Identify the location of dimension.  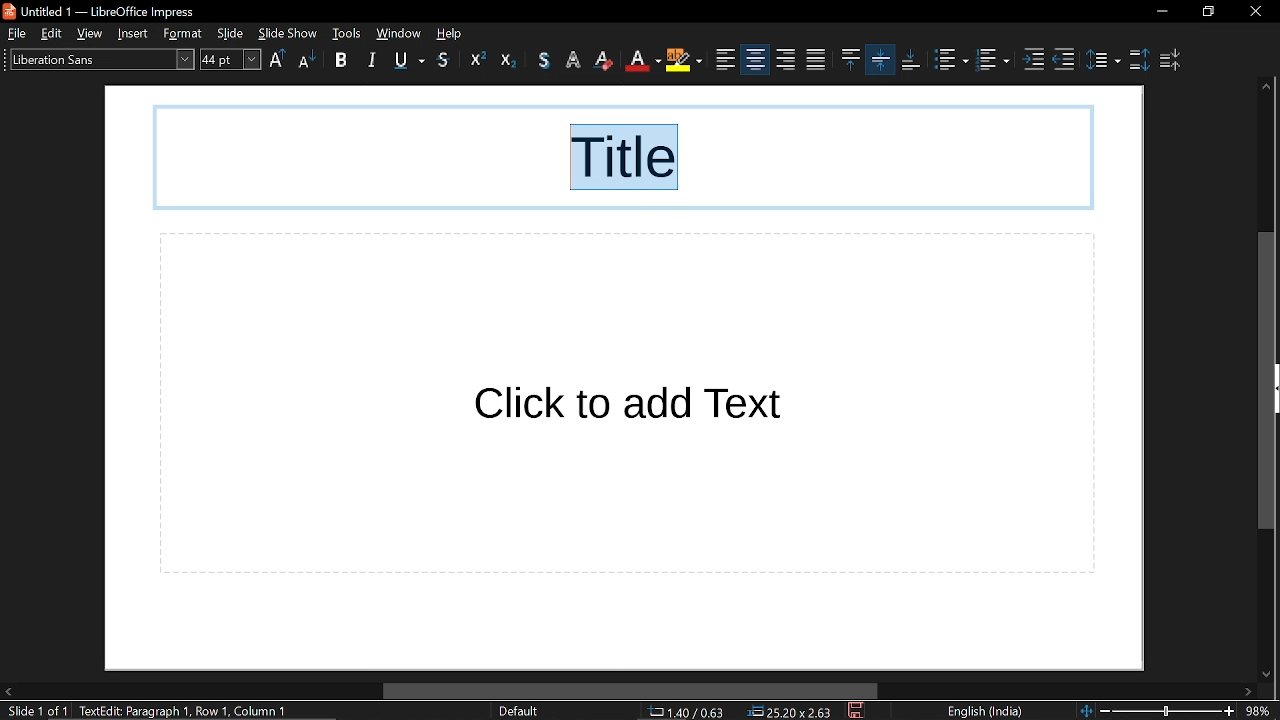
(791, 712).